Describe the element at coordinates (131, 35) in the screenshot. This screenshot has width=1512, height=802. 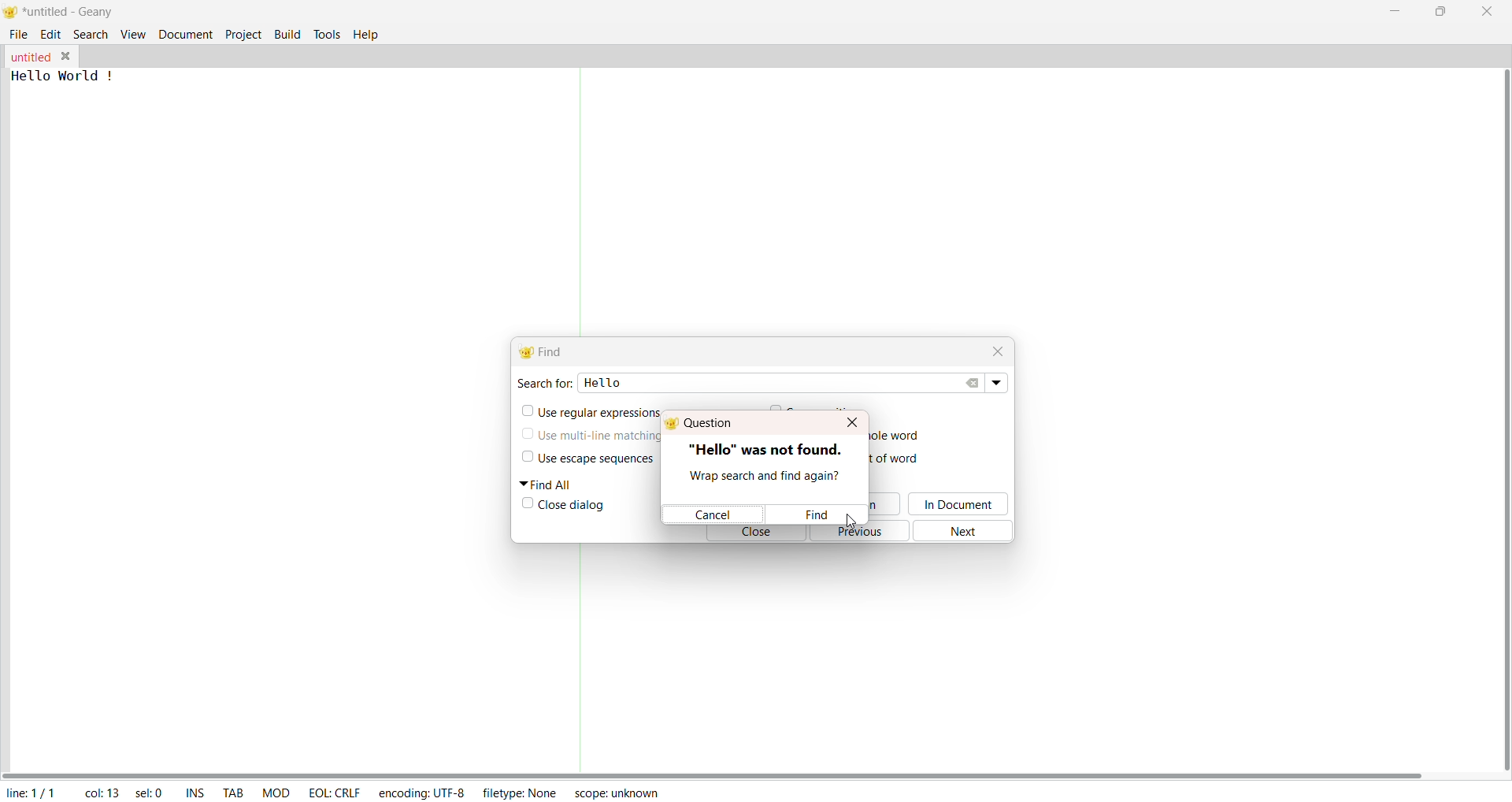
I see `View` at that location.